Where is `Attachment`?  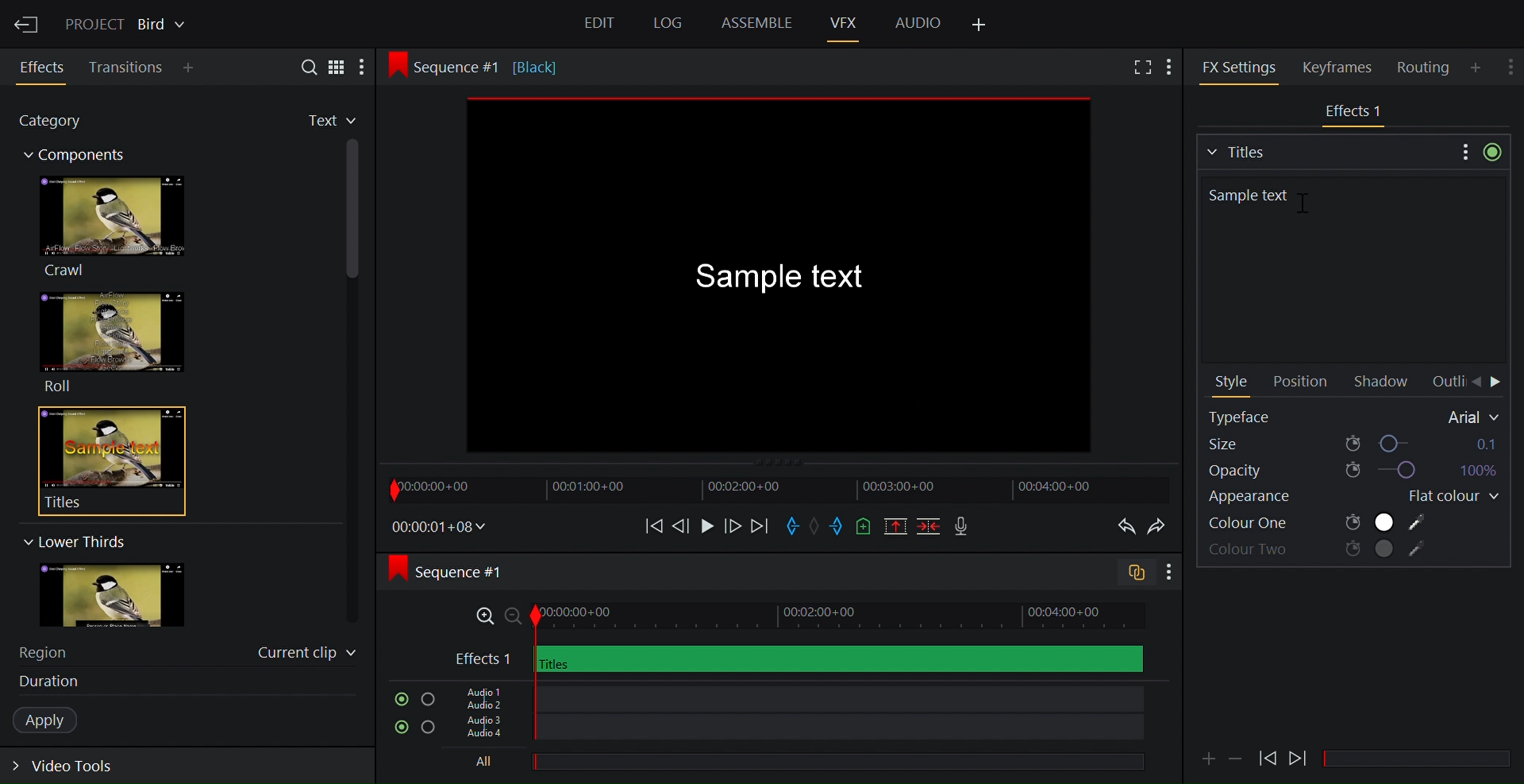
Attachment is located at coordinates (1208, 759).